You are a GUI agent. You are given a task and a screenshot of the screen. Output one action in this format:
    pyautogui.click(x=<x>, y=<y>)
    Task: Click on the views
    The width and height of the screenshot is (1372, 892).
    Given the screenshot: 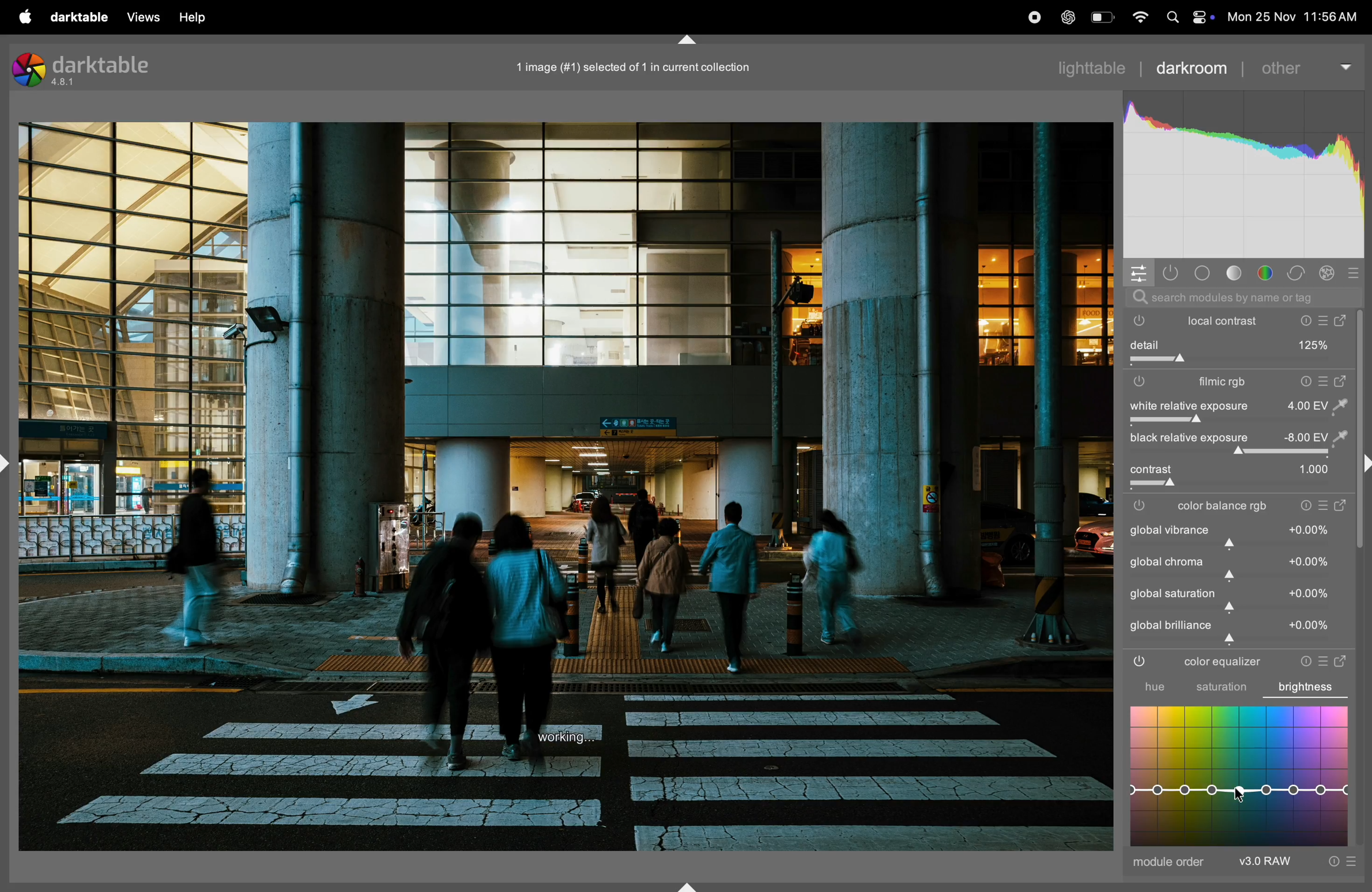 What is the action you would take?
    pyautogui.click(x=142, y=17)
    